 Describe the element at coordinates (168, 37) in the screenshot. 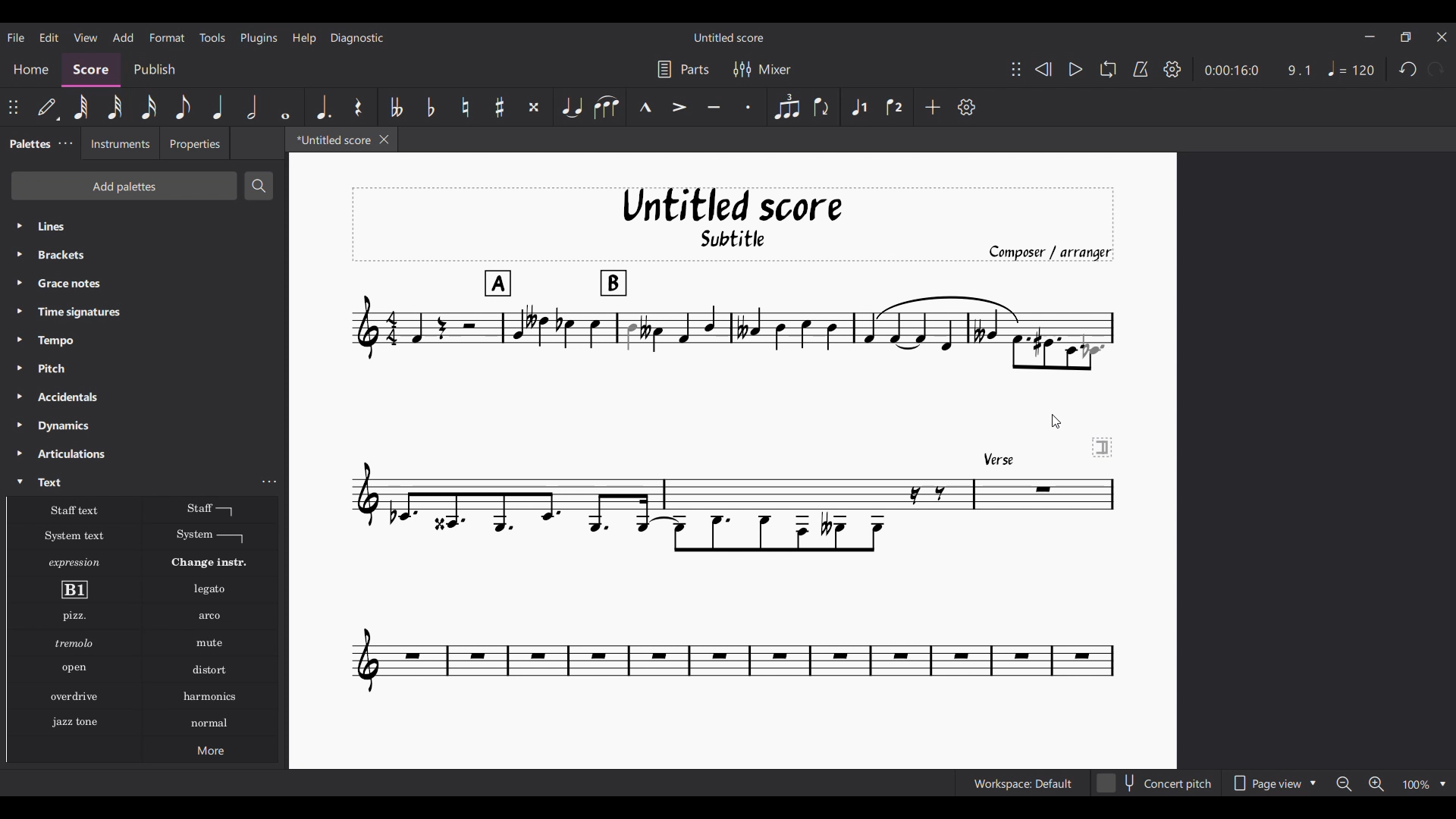

I see `Format menu` at that location.